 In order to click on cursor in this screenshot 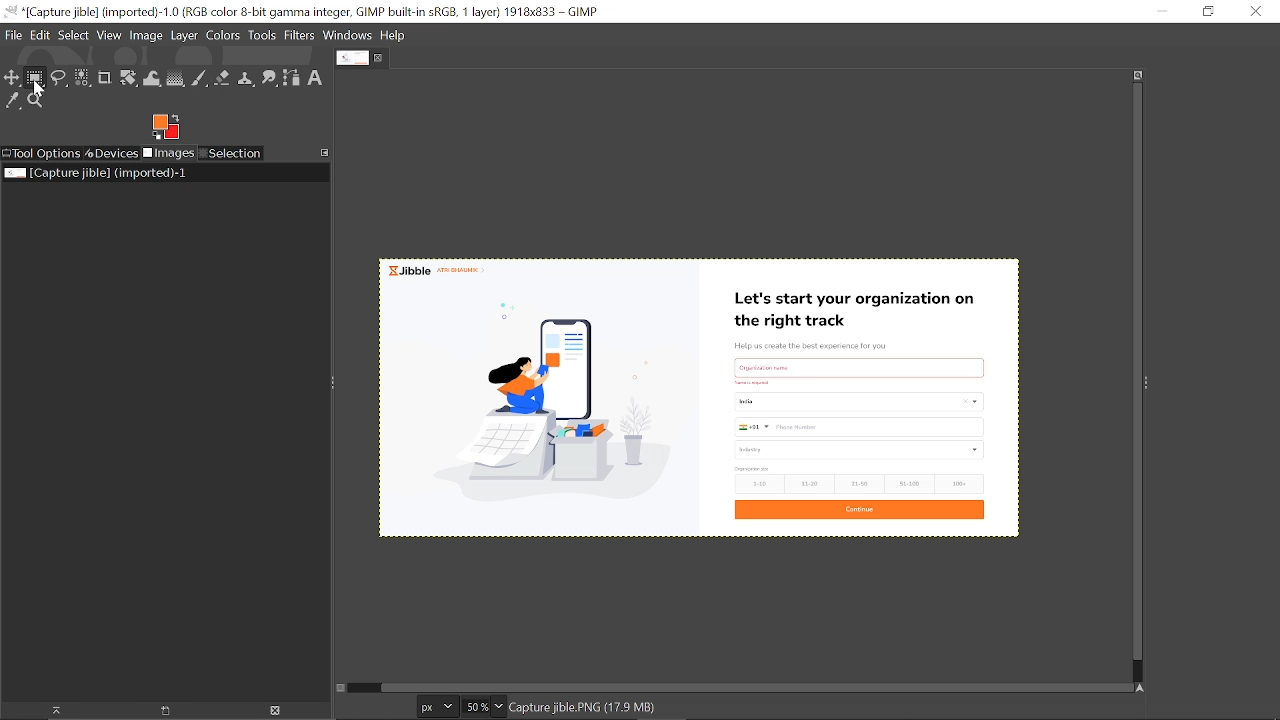, I will do `click(35, 87)`.